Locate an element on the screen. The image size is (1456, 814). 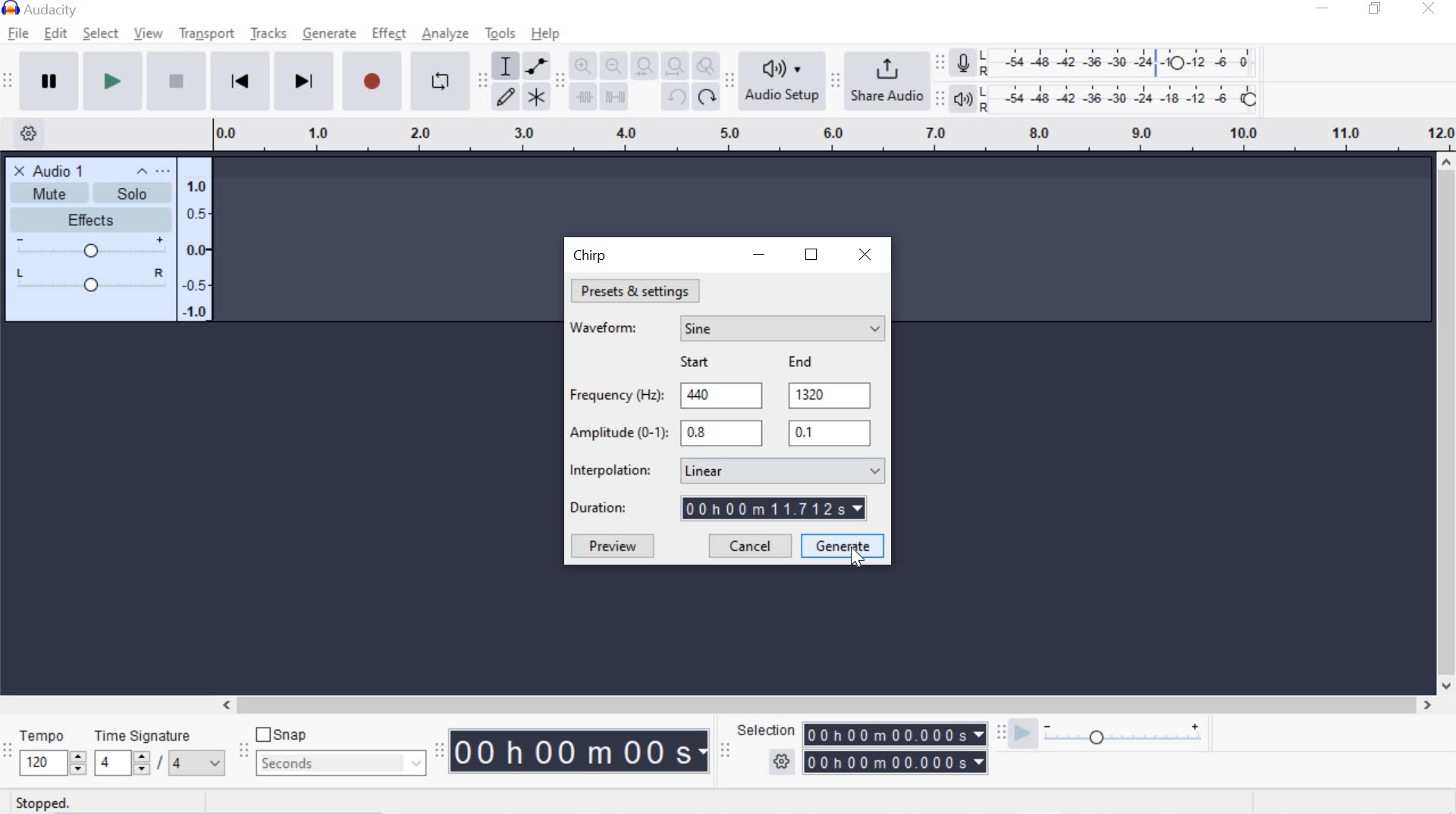
Time Toolbar is located at coordinates (441, 750).